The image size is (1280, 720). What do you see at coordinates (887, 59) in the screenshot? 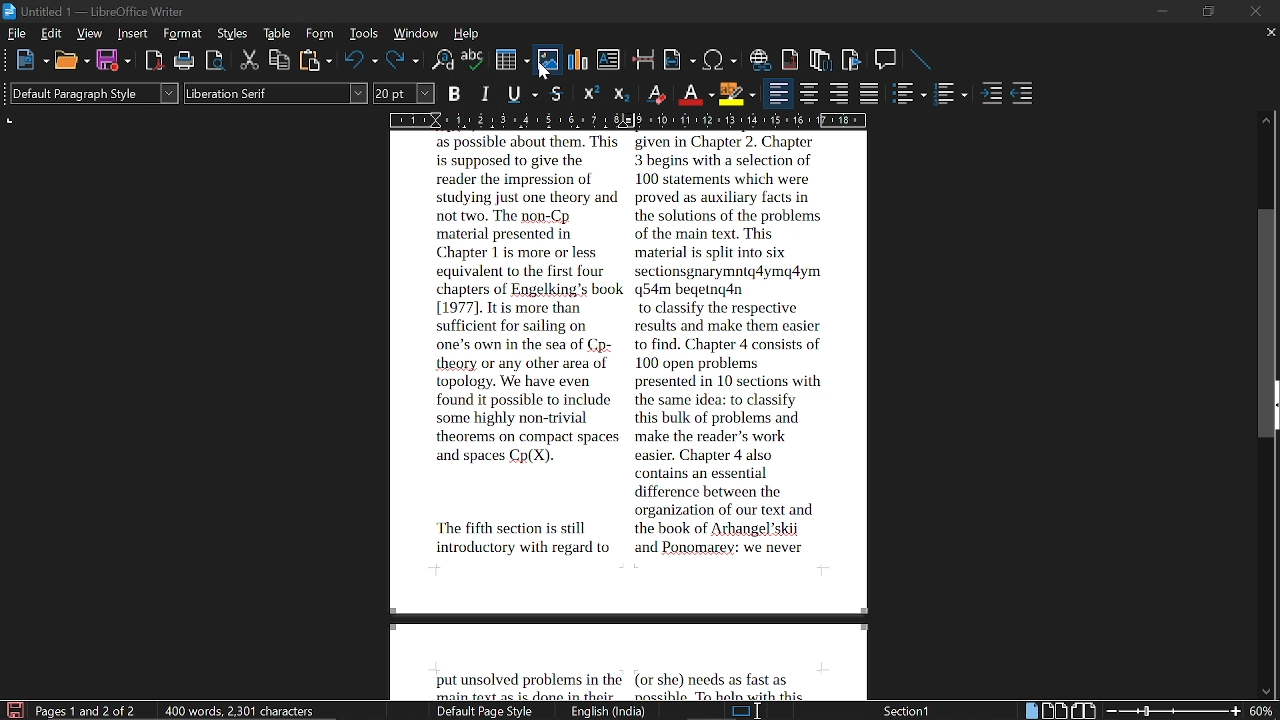
I see `insert comment` at bounding box center [887, 59].